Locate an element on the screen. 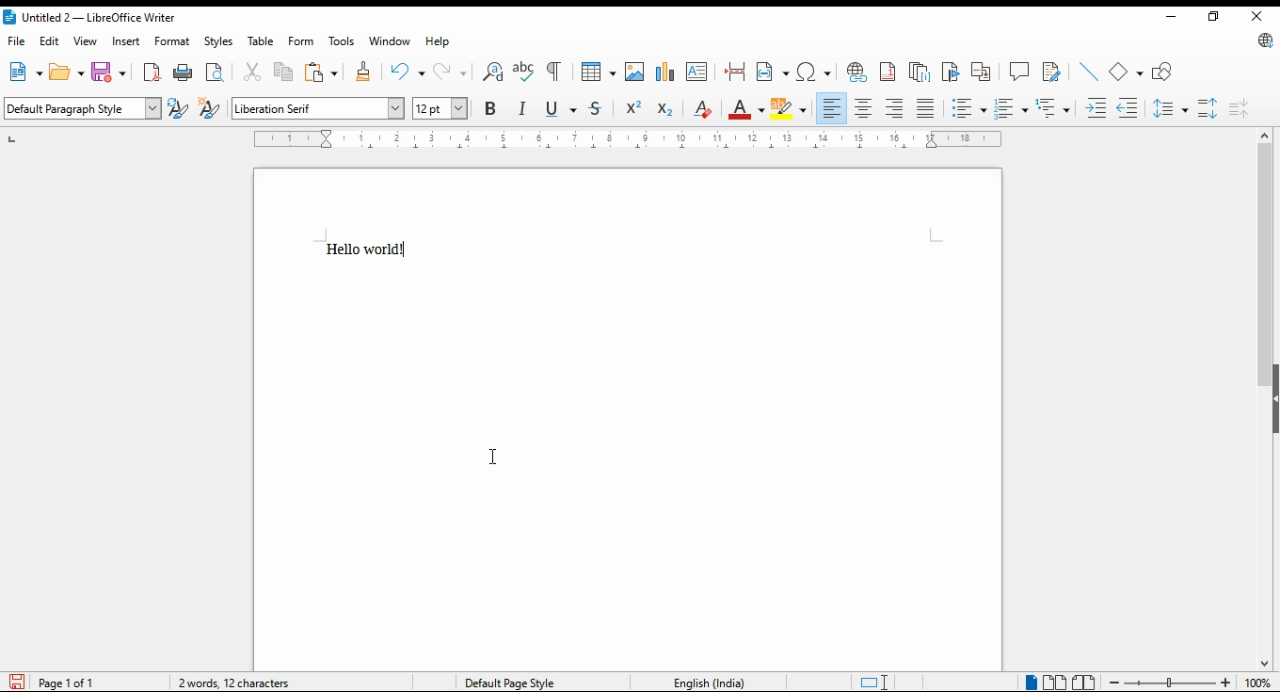  scroll bar is located at coordinates (1262, 400).